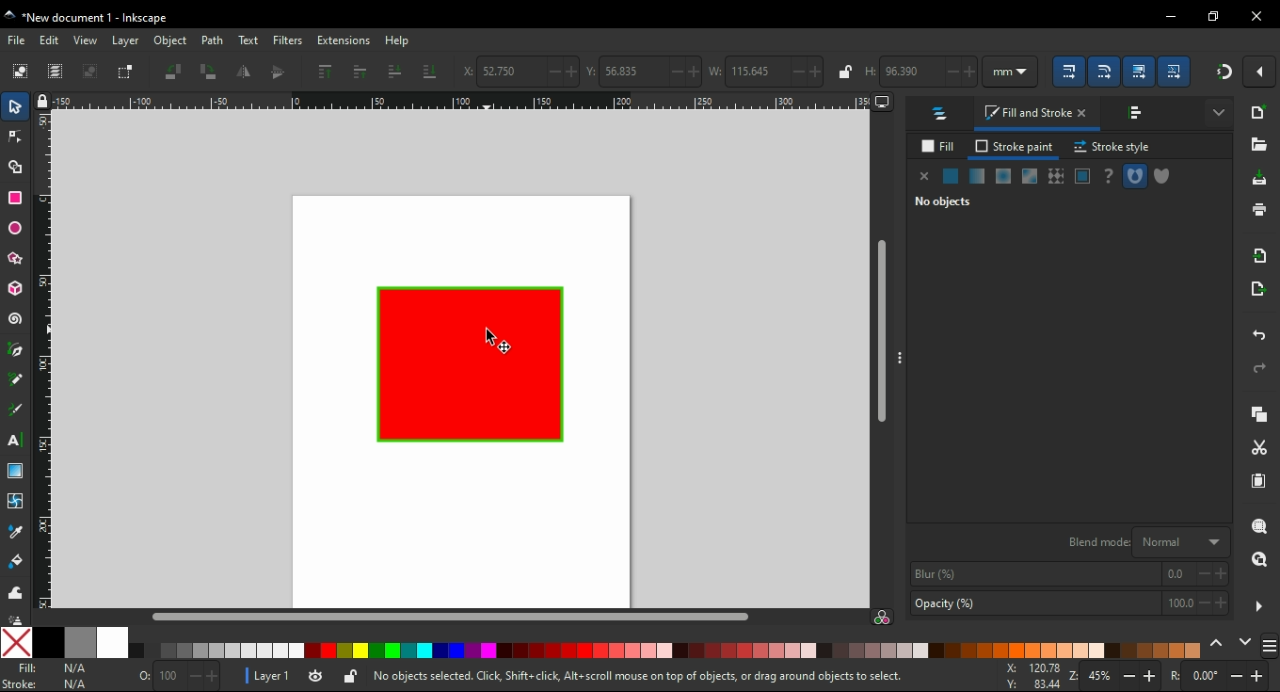 The height and width of the screenshot is (692, 1280). Describe the element at coordinates (323, 72) in the screenshot. I see `raise to top` at that location.